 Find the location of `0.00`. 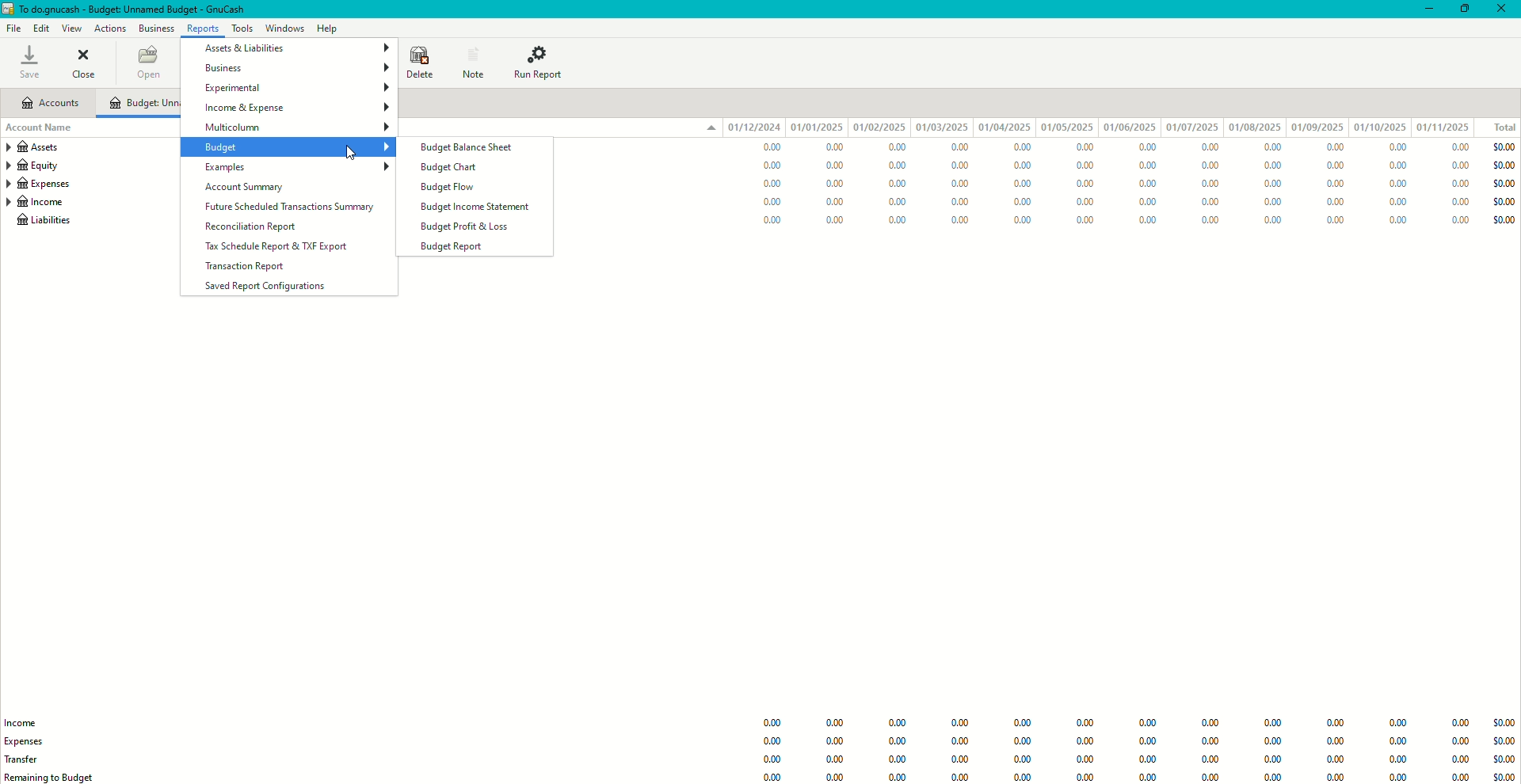

0.00 is located at coordinates (1205, 166).